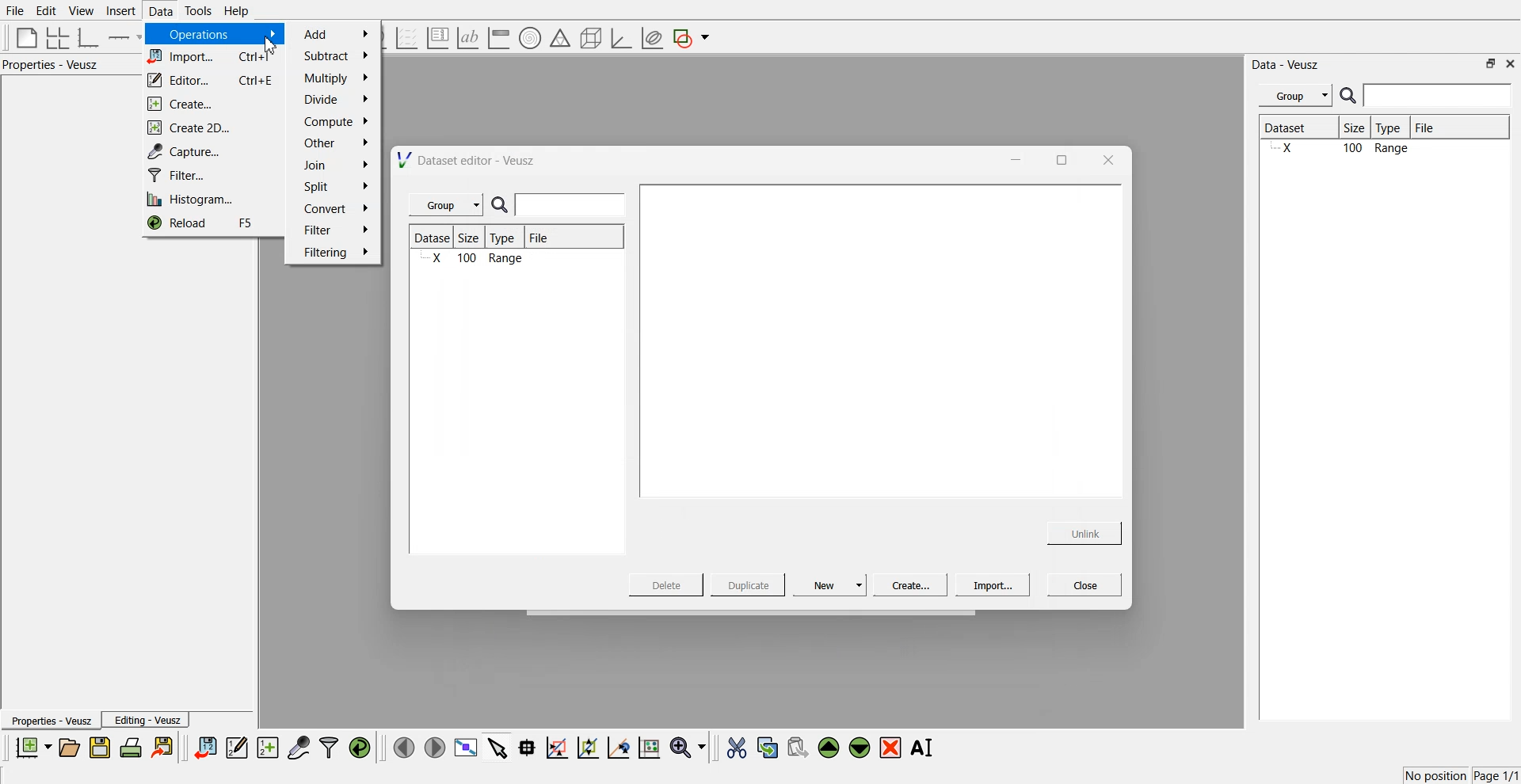  Describe the element at coordinates (204, 748) in the screenshot. I see `import data sets` at that location.